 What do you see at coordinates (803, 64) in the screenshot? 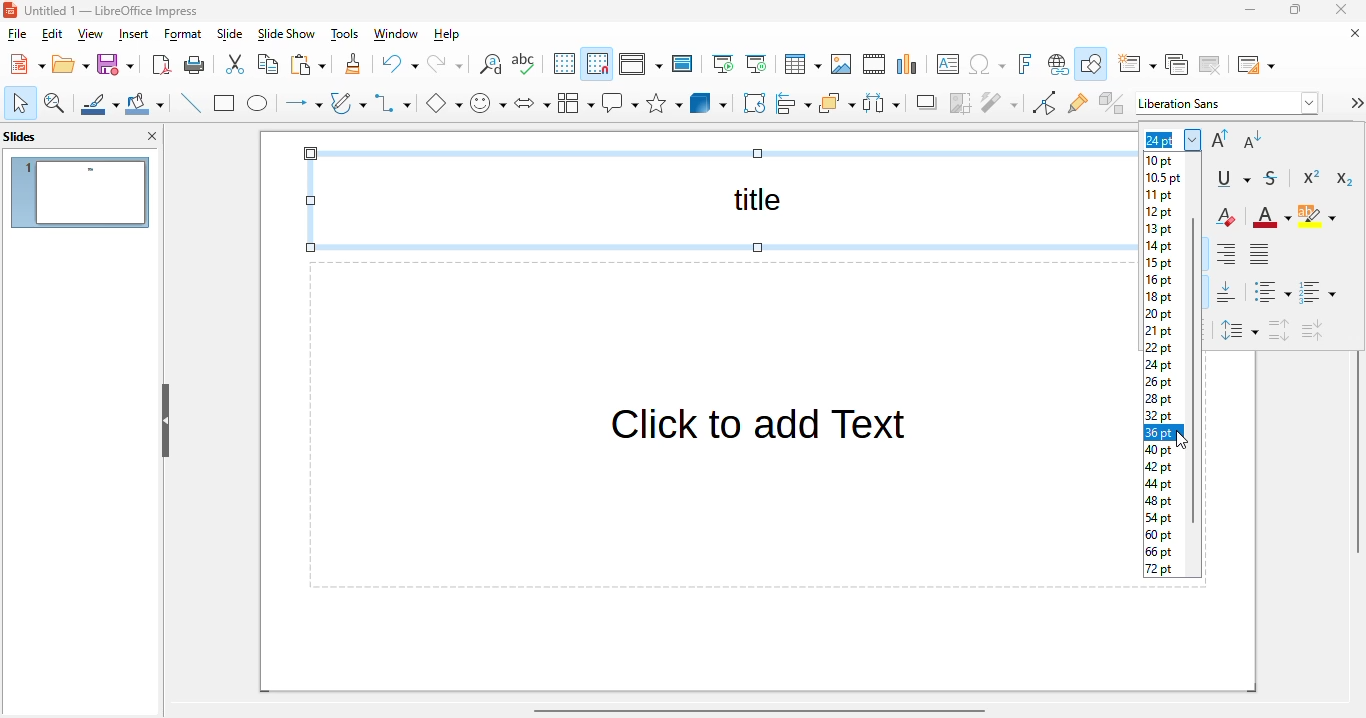
I see `table` at bounding box center [803, 64].